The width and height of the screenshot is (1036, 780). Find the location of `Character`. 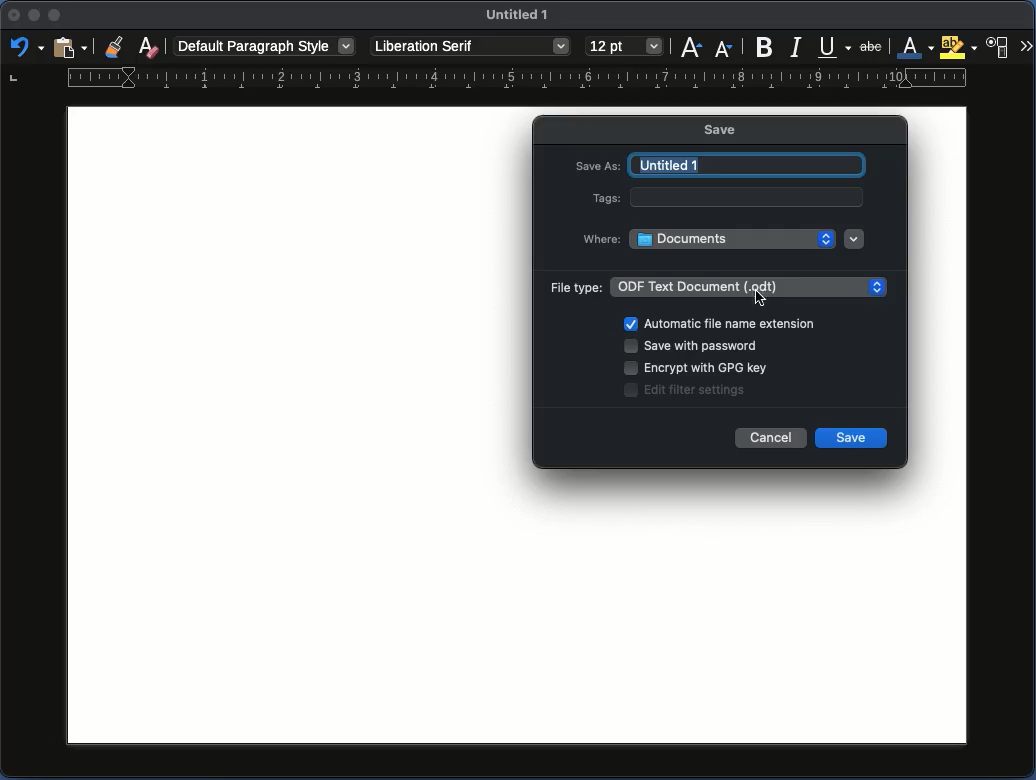

Character is located at coordinates (999, 47).